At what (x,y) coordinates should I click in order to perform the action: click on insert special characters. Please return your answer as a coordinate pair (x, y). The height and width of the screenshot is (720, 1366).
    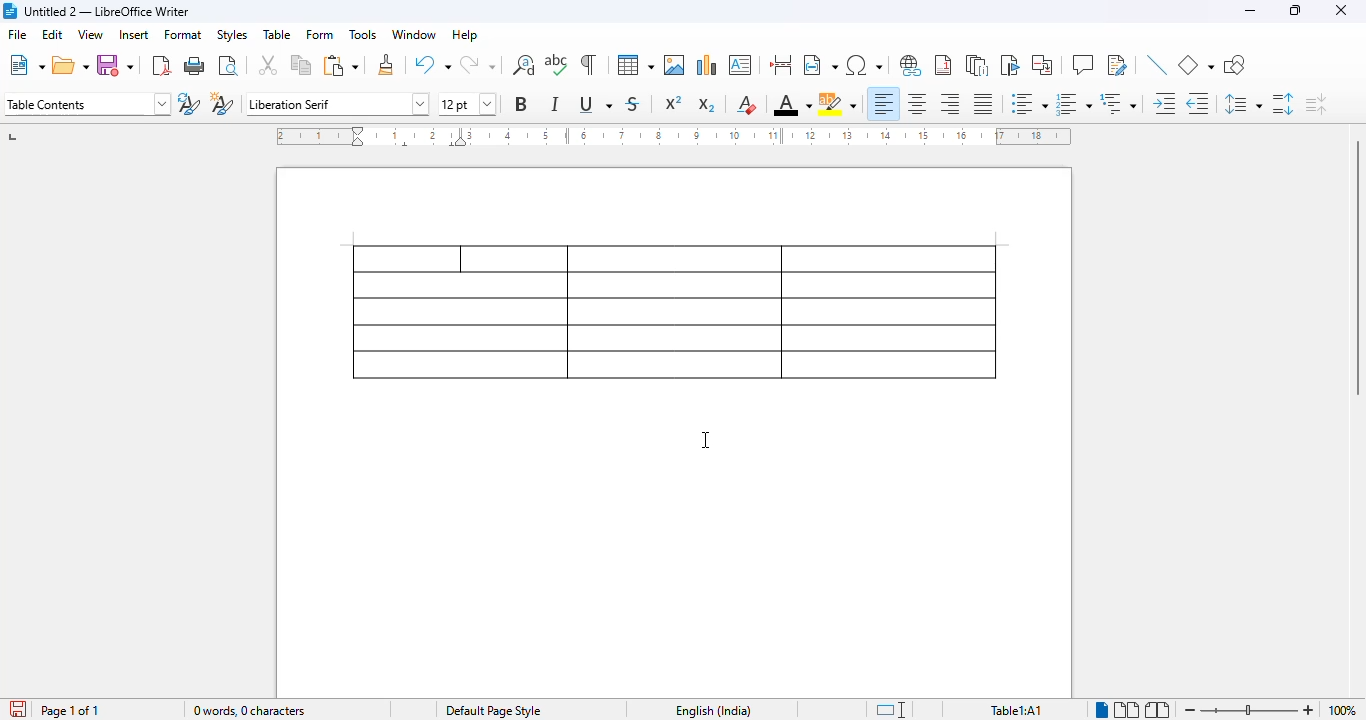
    Looking at the image, I should click on (865, 65).